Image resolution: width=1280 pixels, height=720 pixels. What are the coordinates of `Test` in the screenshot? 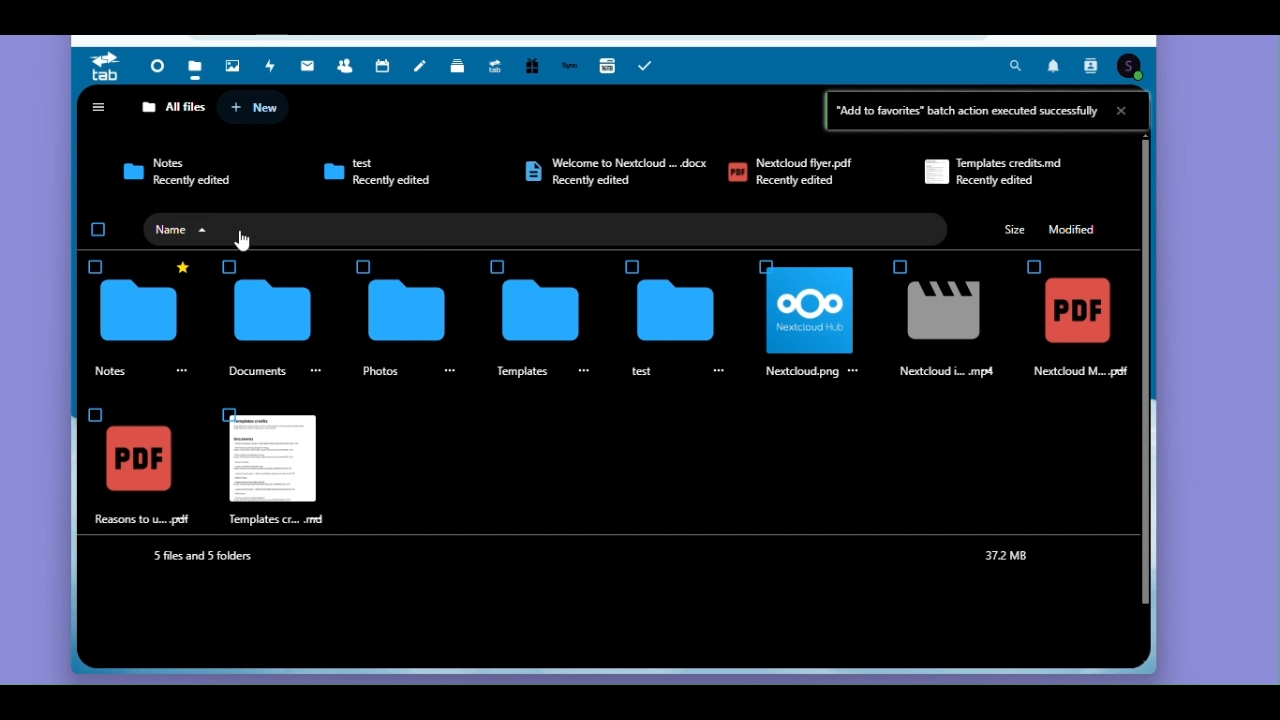 It's located at (642, 370).